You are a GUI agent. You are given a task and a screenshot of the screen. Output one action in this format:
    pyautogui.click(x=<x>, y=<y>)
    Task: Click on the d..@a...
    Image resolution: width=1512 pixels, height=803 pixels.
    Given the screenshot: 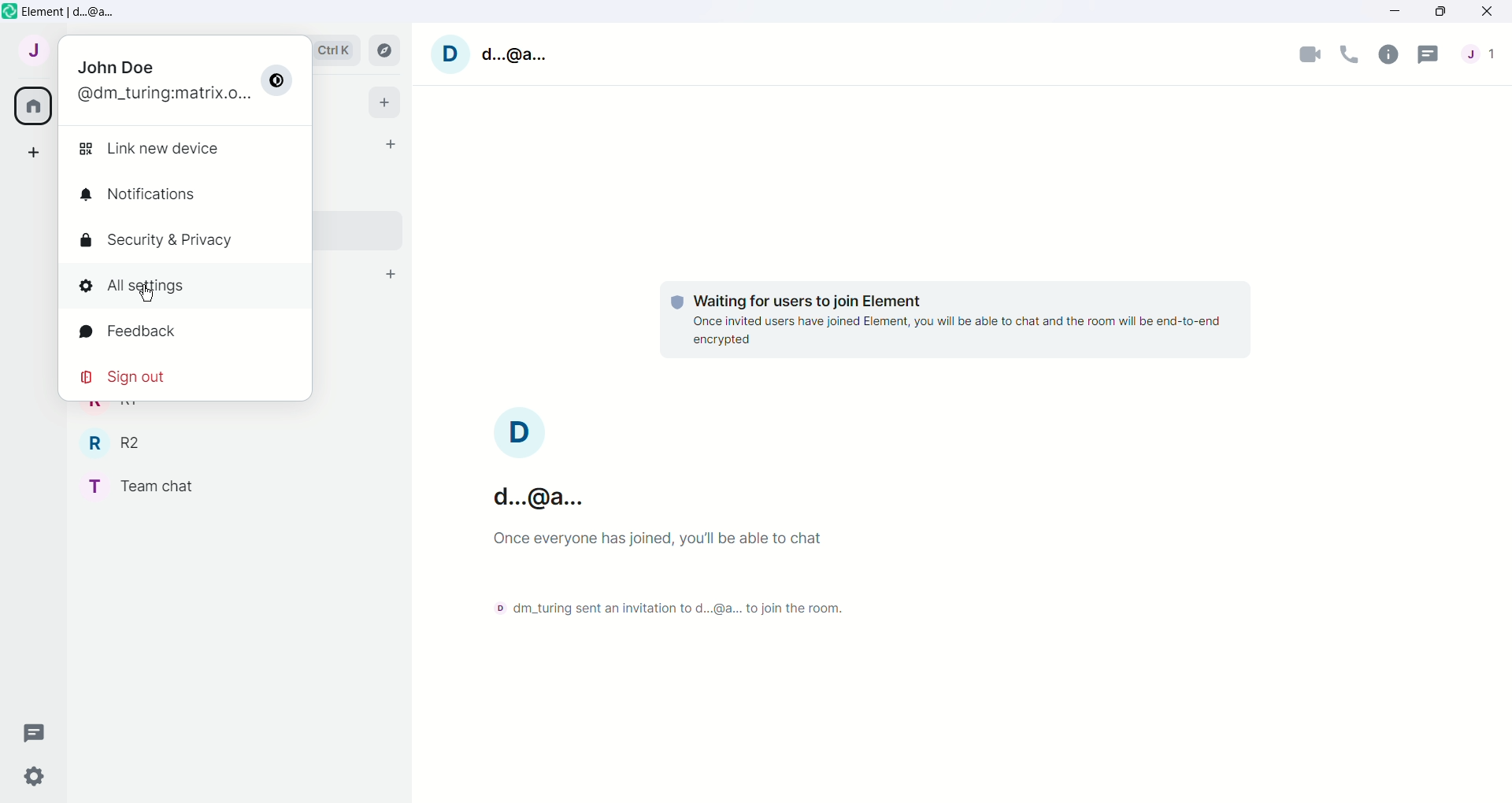 What is the action you would take?
    pyautogui.click(x=539, y=498)
    